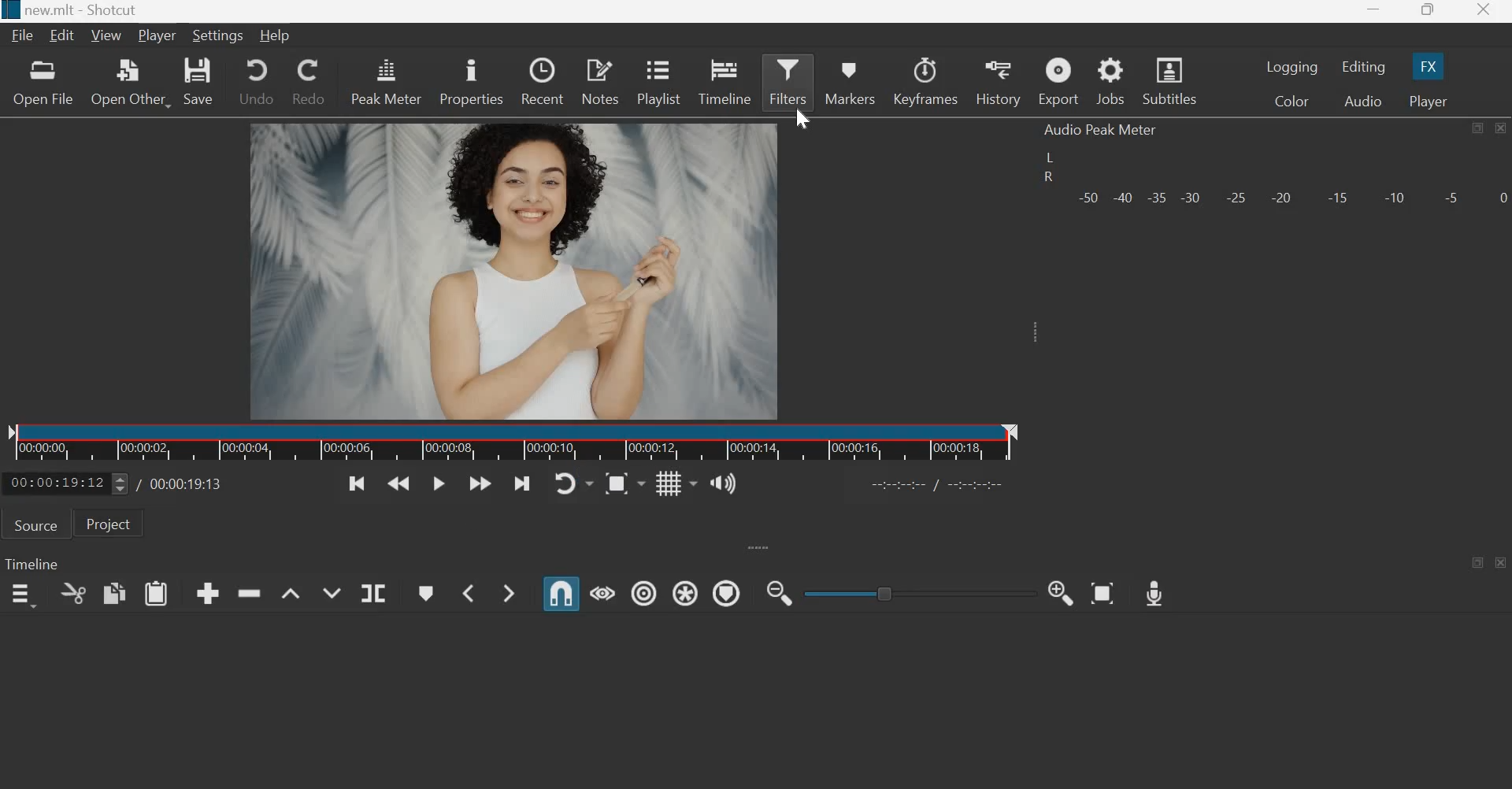 This screenshot has width=1512, height=789. Describe the element at coordinates (658, 80) in the screenshot. I see `playlist` at that location.